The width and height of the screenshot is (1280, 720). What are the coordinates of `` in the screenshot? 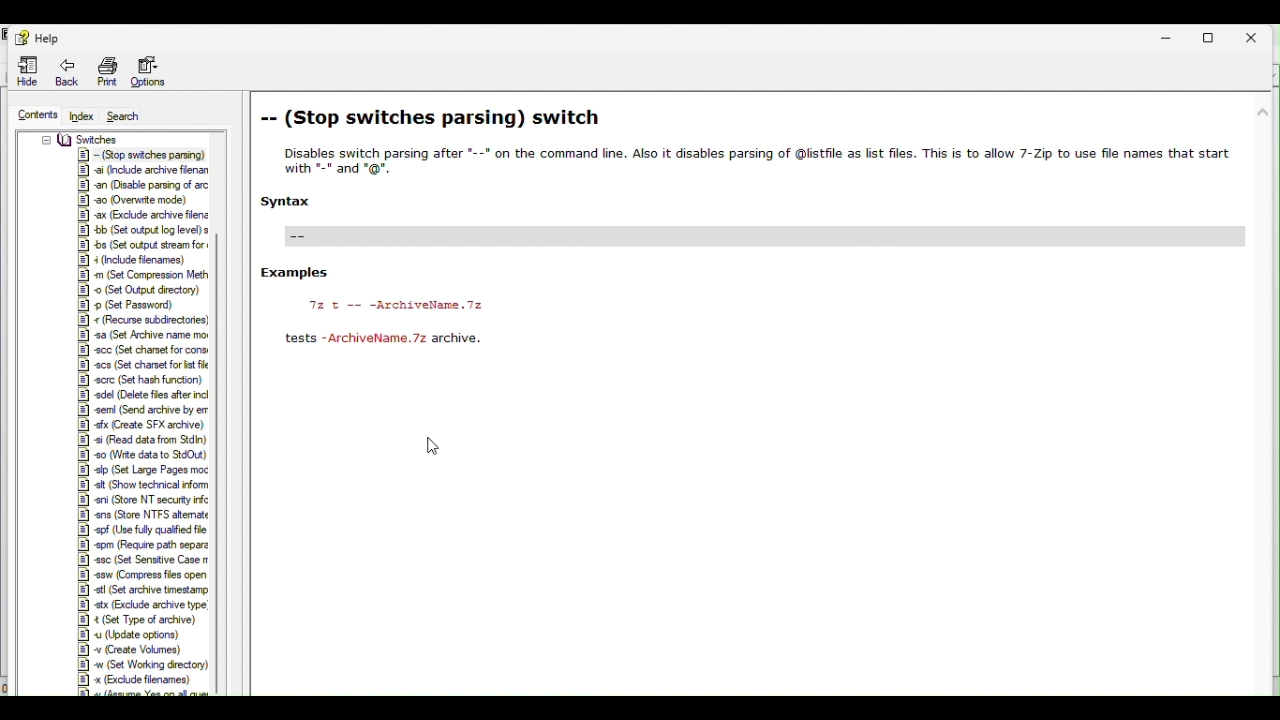 It's located at (144, 678).